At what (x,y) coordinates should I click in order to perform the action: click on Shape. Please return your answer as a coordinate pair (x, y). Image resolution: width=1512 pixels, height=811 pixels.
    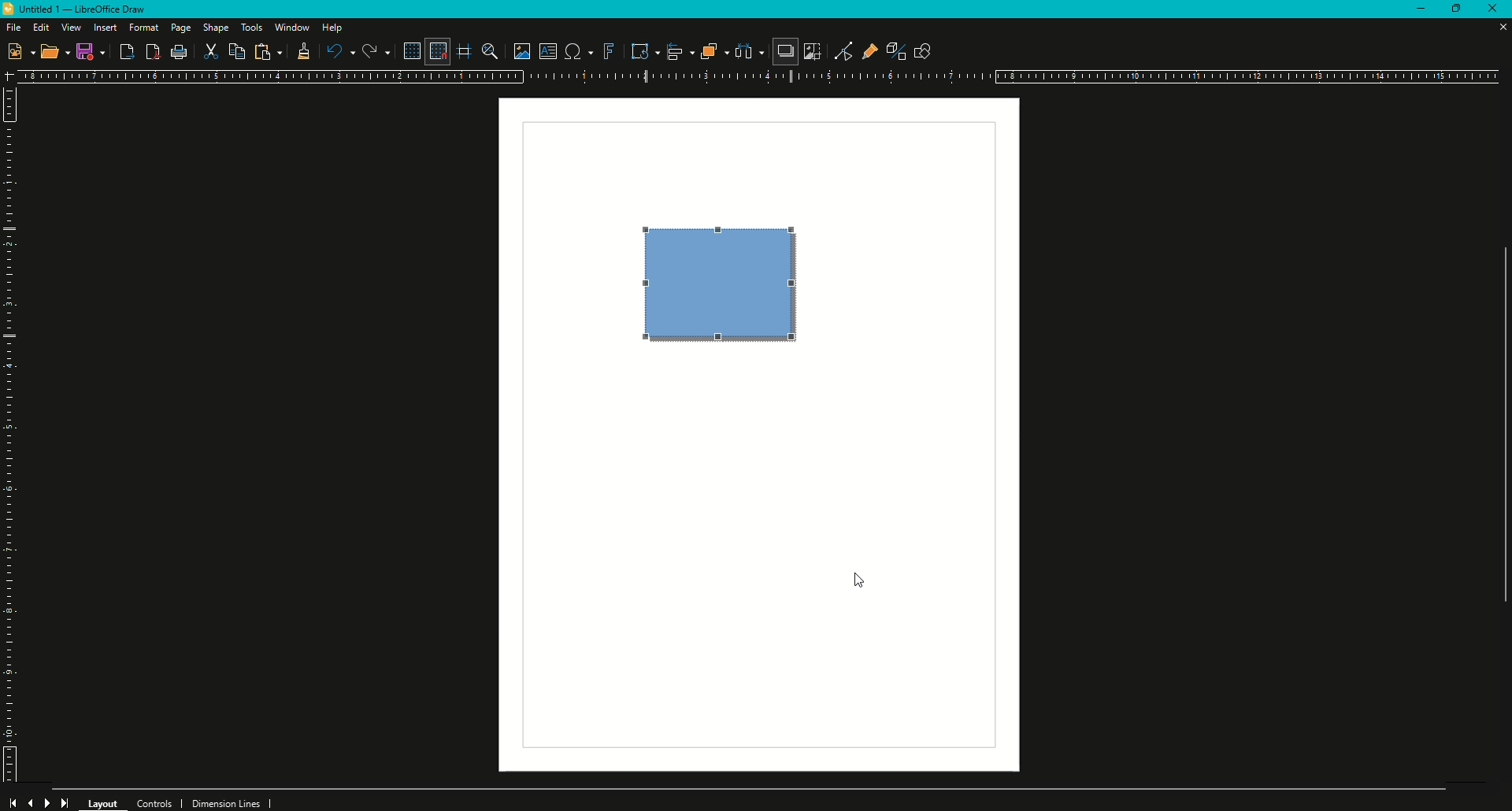
    Looking at the image, I should click on (217, 28).